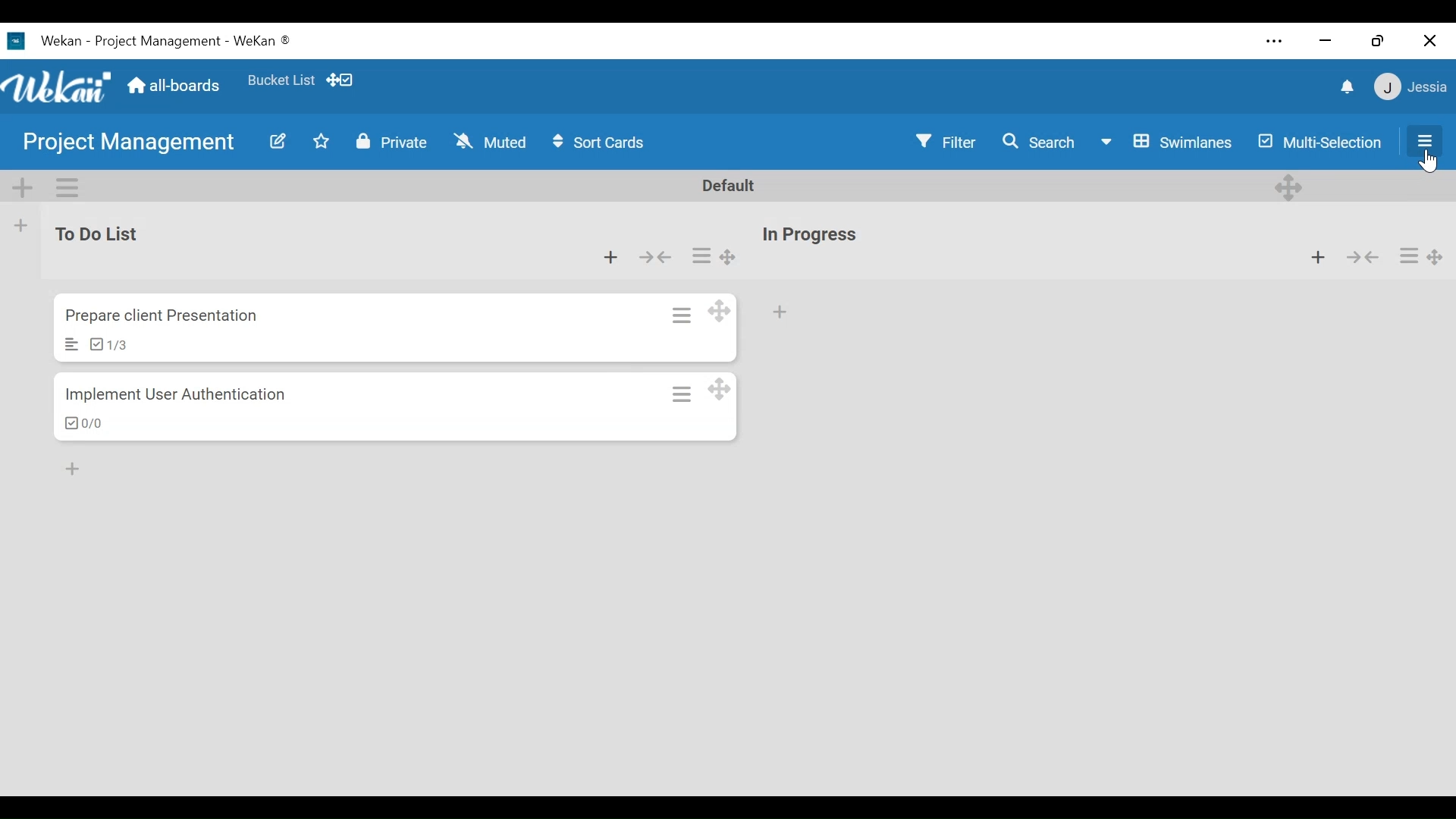  What do you see at coordinates (610, 258) in the screenshot?
I see `Add card to bottom of the list` at bounding box center [610, 258].